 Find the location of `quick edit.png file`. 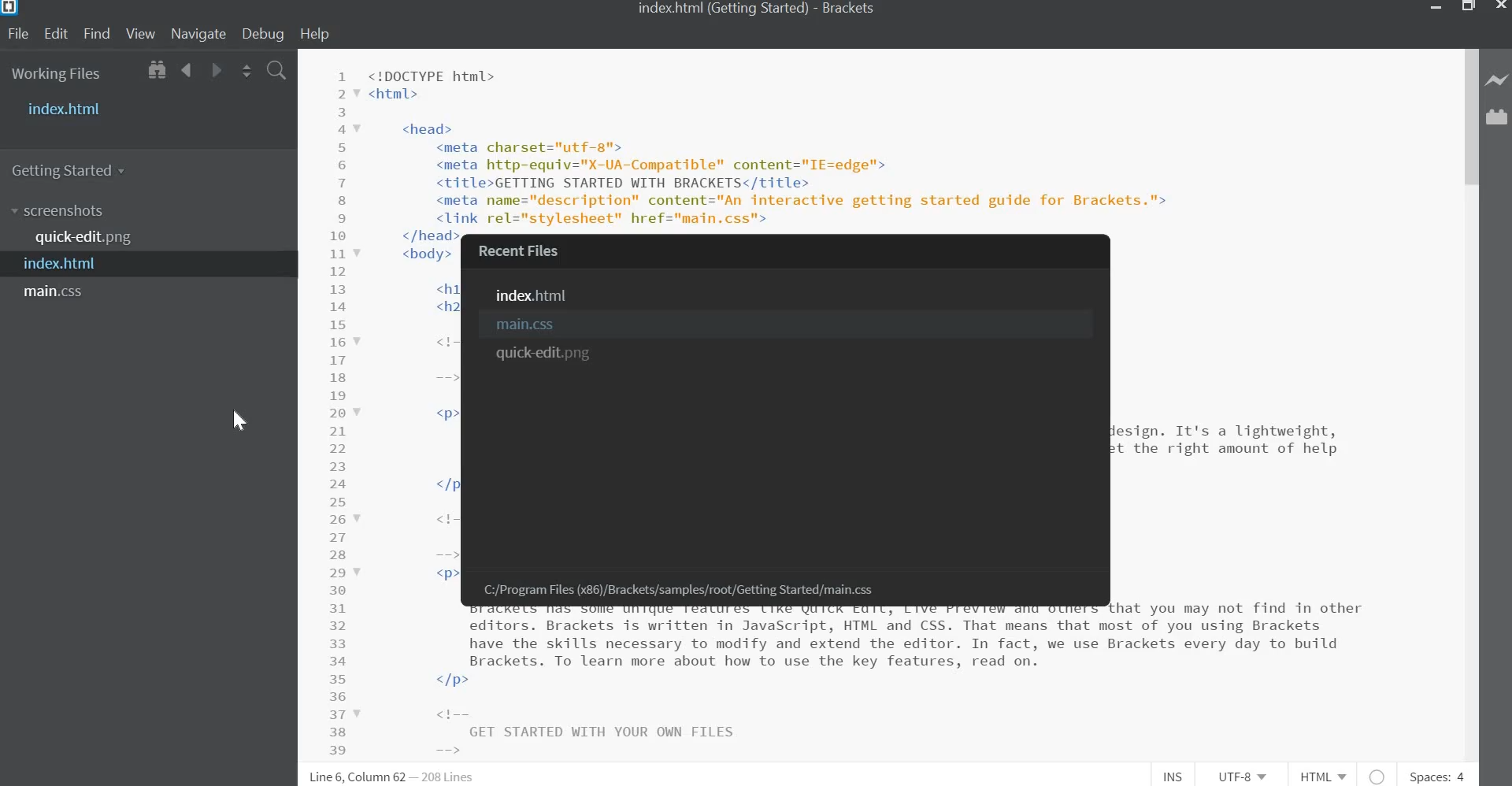

quick edit.png file is located at coordinates (543, 355).